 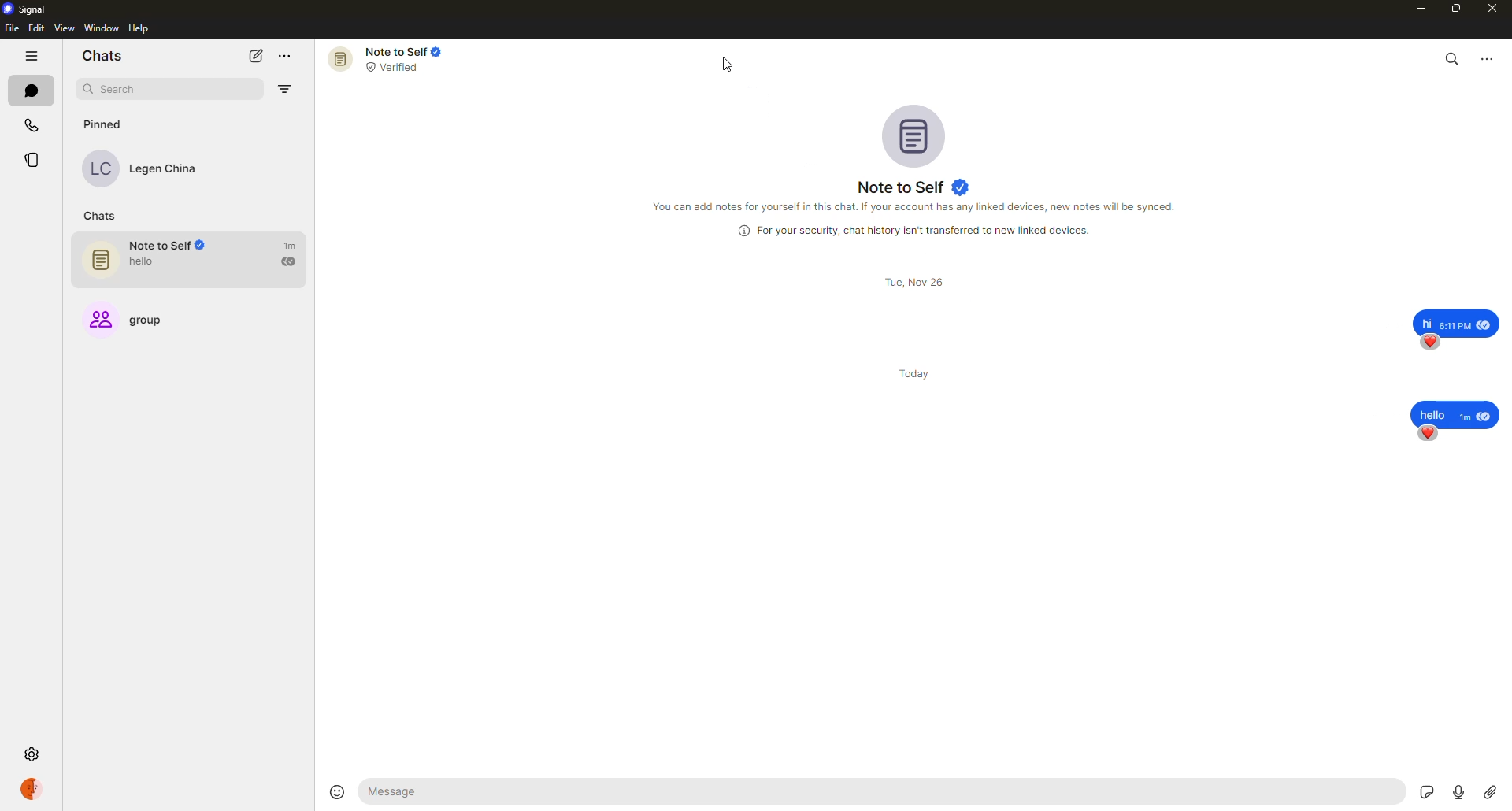 What do you see at coordinates (917, 230) in the screenshot?
I see `info` at bounding box center [917, 230].